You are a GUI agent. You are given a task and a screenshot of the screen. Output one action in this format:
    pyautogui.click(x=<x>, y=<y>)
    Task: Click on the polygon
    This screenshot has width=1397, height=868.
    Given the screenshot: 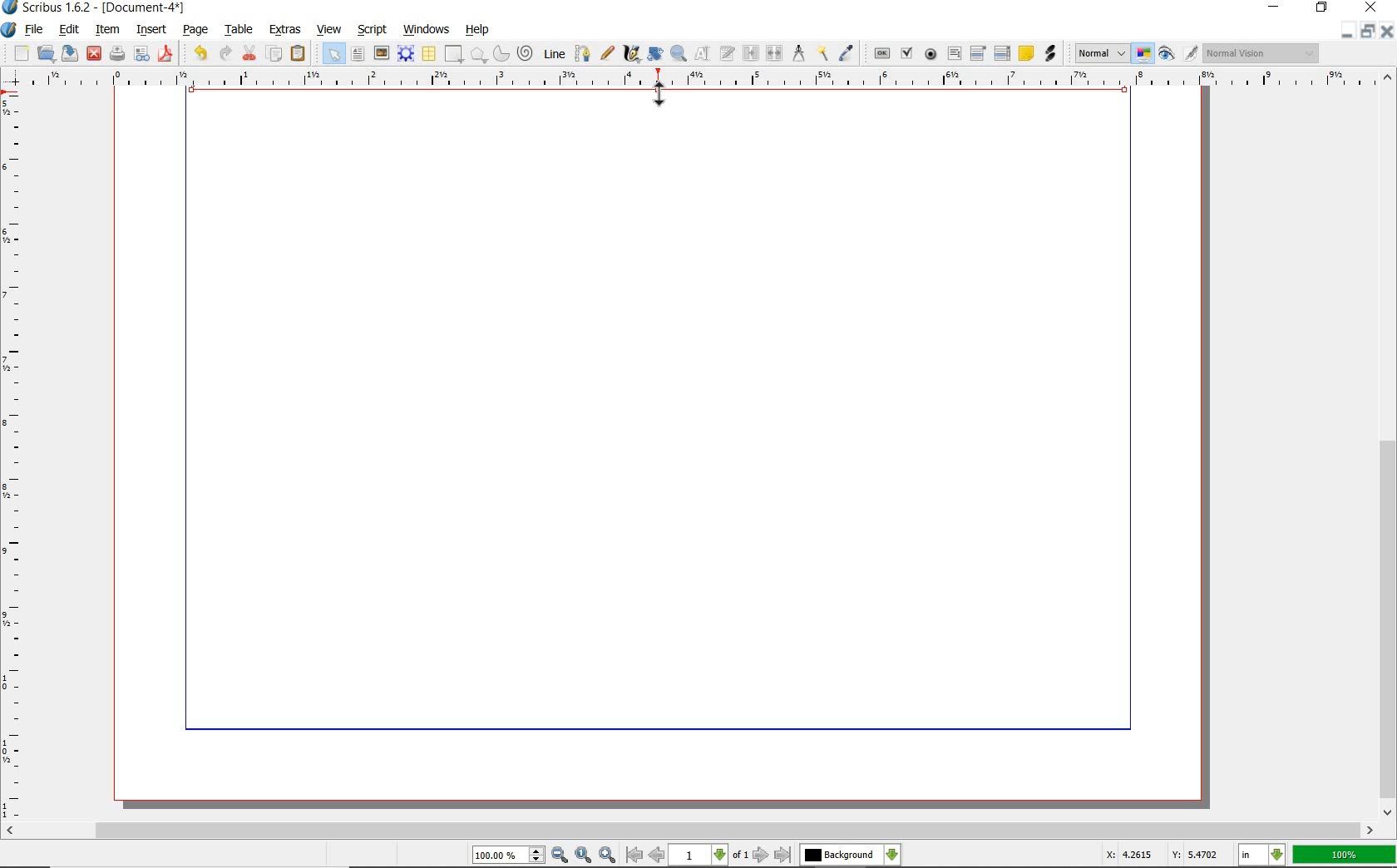 What is the action you would take?
    pyautogui.click(x=479, y=56)
    